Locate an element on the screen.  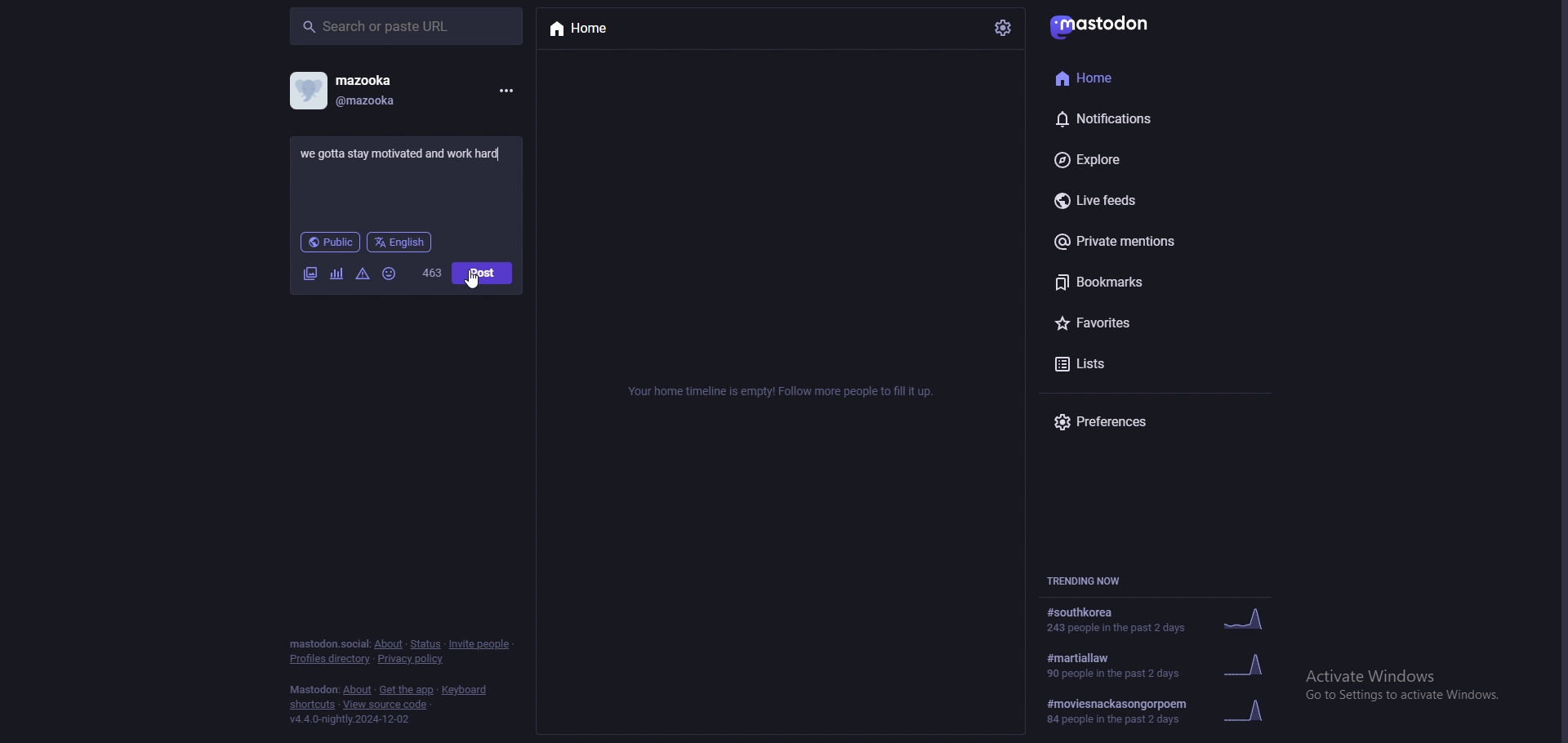
profile is located at coordinates (308, 91).